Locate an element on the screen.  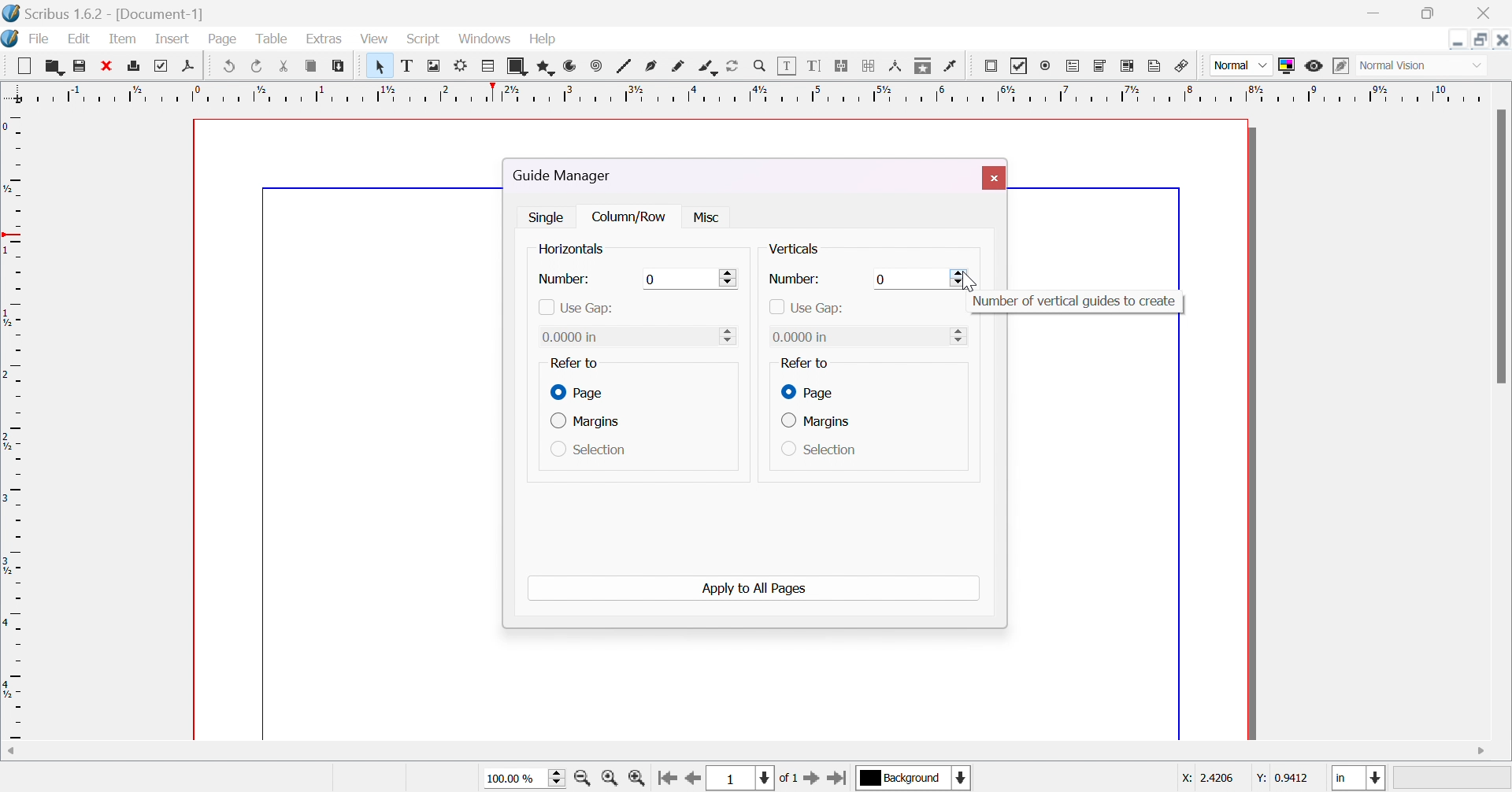
file is located at coordinates (41, 39).